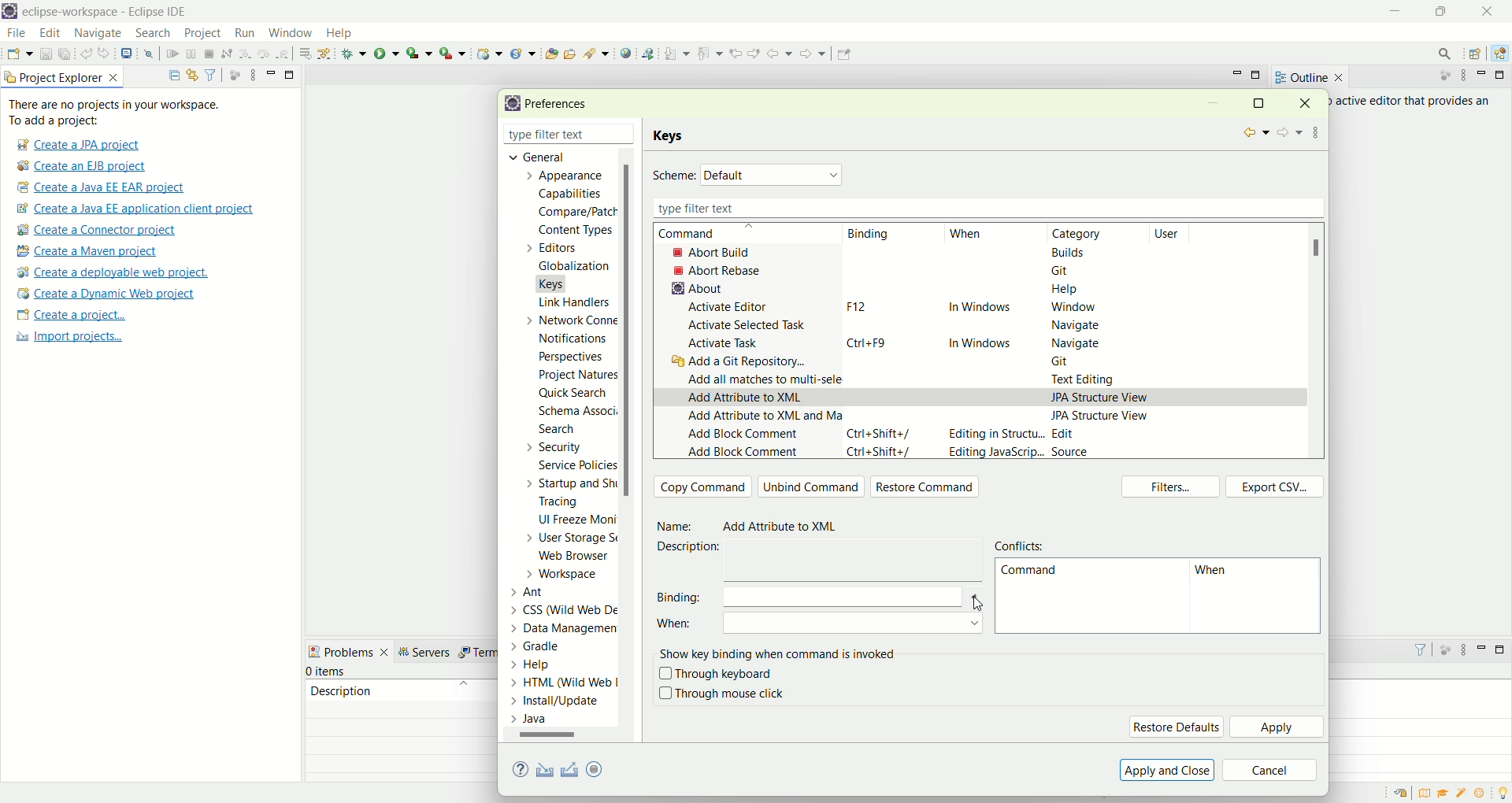 Image resolution: width=1512 pixels, height=803 pixels. What do you see at coordinates (510, 104) in the screenshot?
I see `logo` at bounding box center [510, 104].